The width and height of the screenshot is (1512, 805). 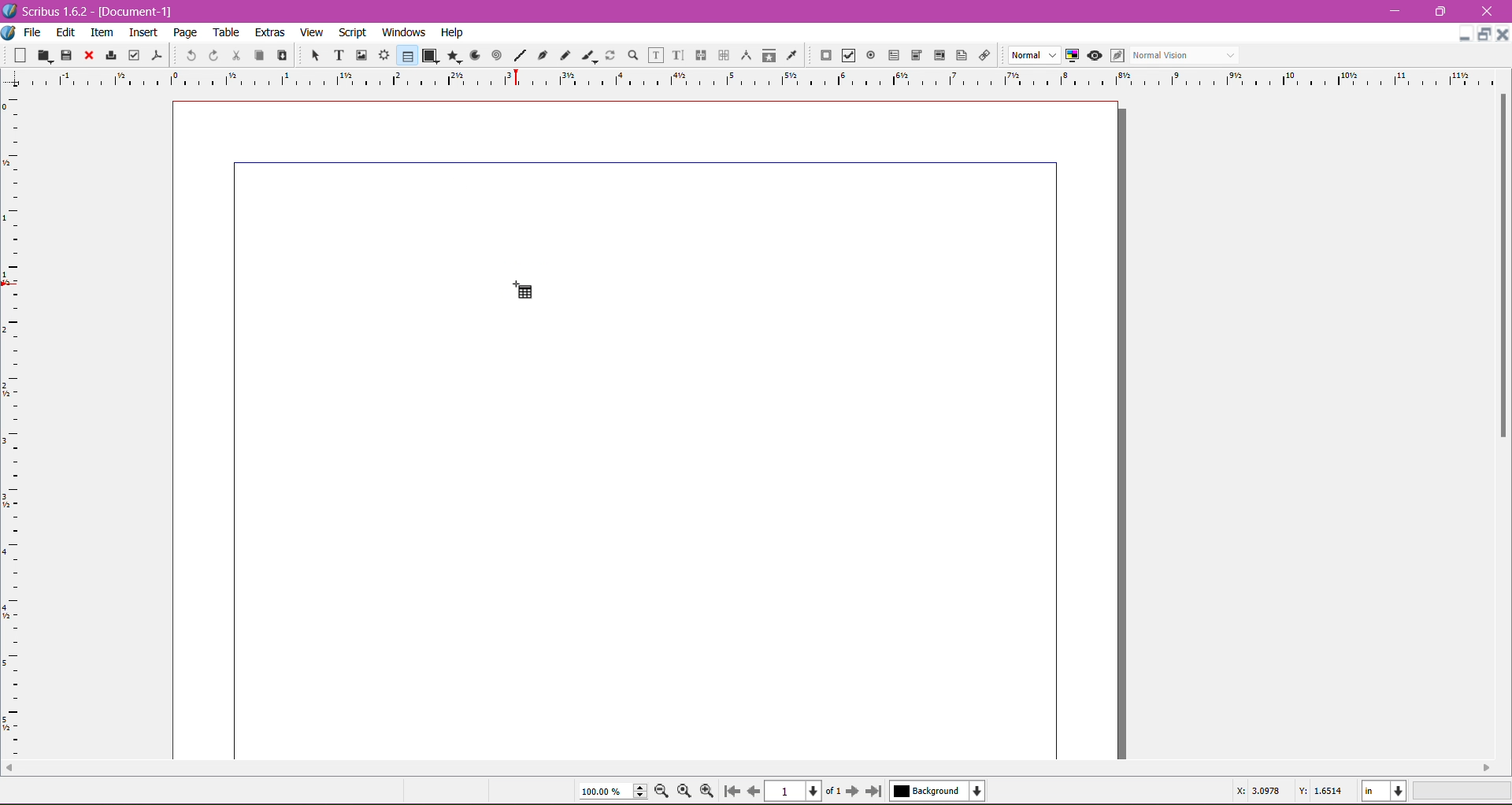 I want to click on Previous page, so click(x=753, y=790).